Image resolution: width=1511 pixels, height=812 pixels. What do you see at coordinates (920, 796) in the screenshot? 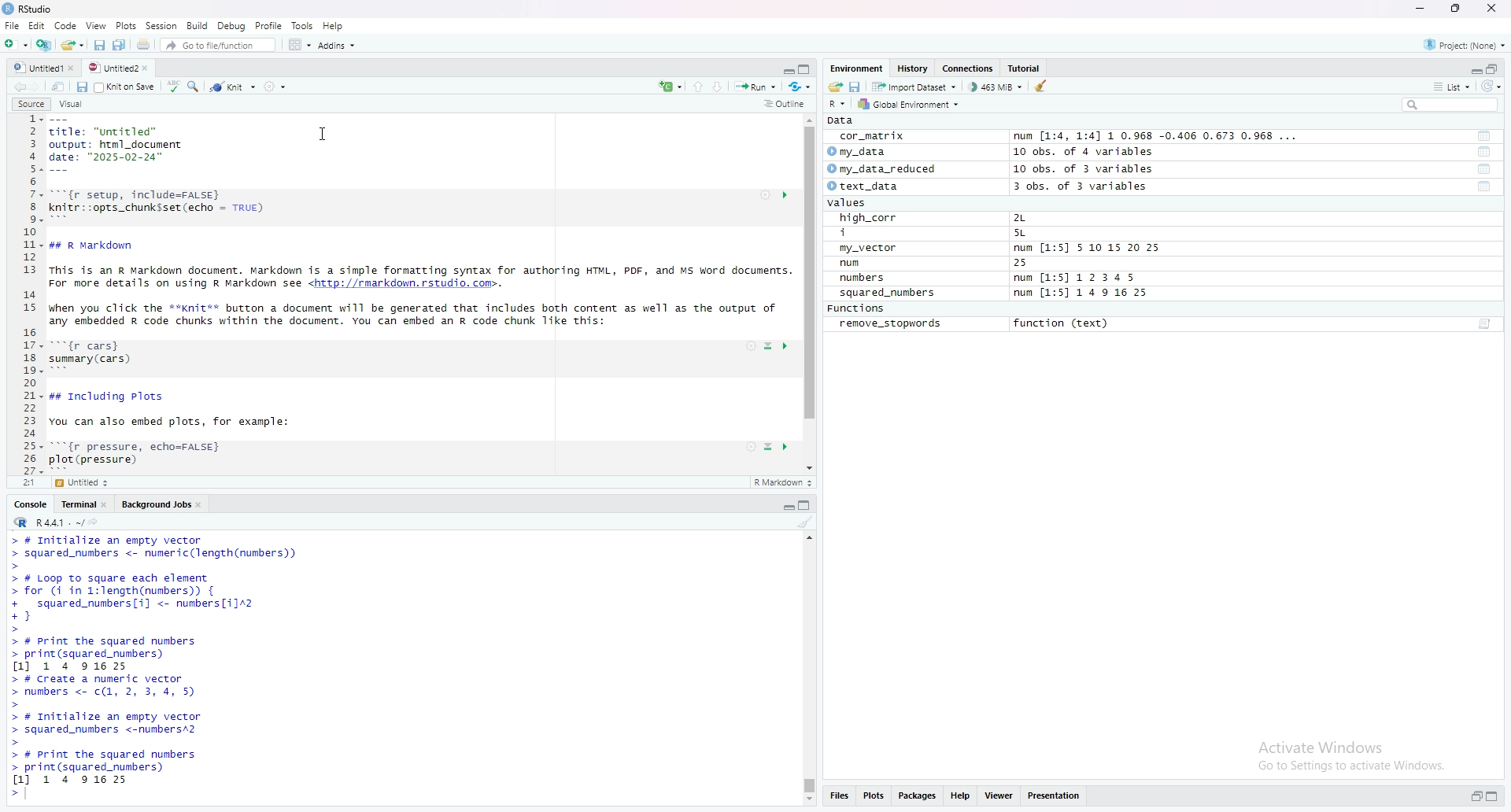
I see `Packages` at bounding box center [920, 796].